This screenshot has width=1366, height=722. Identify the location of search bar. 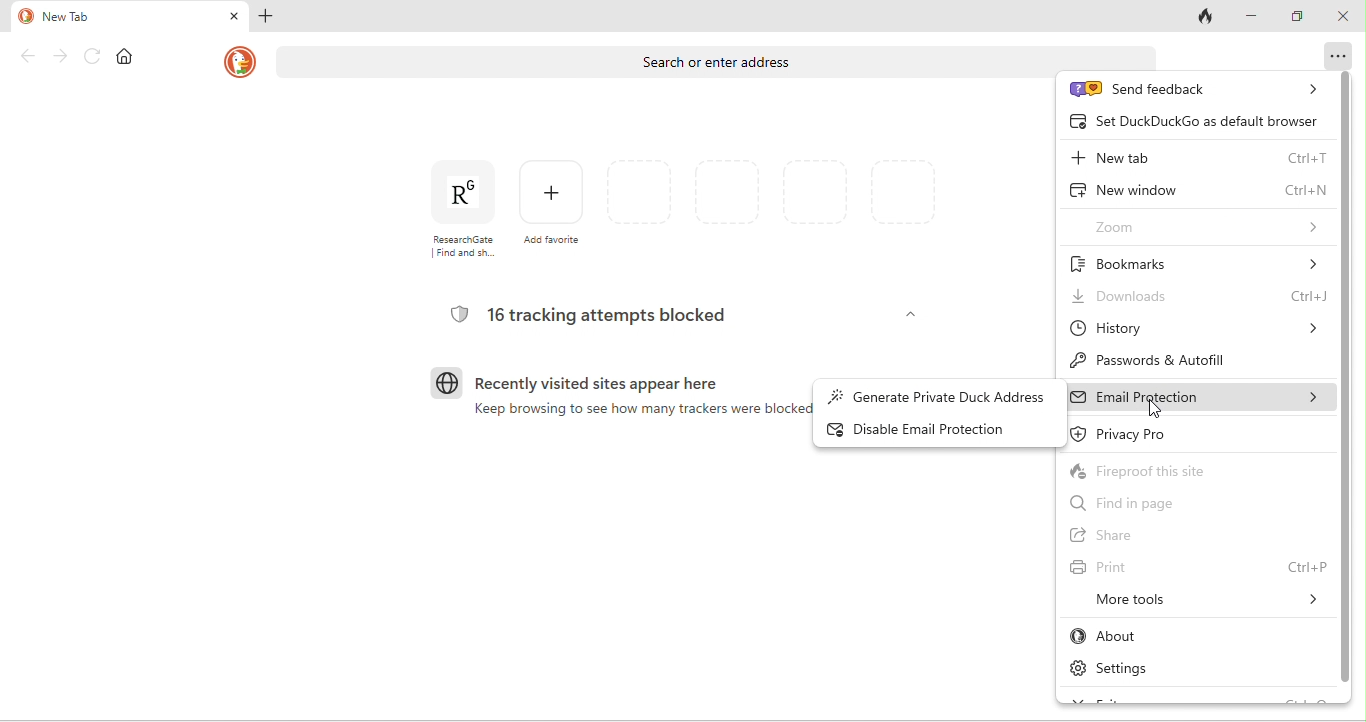
(655, 65).